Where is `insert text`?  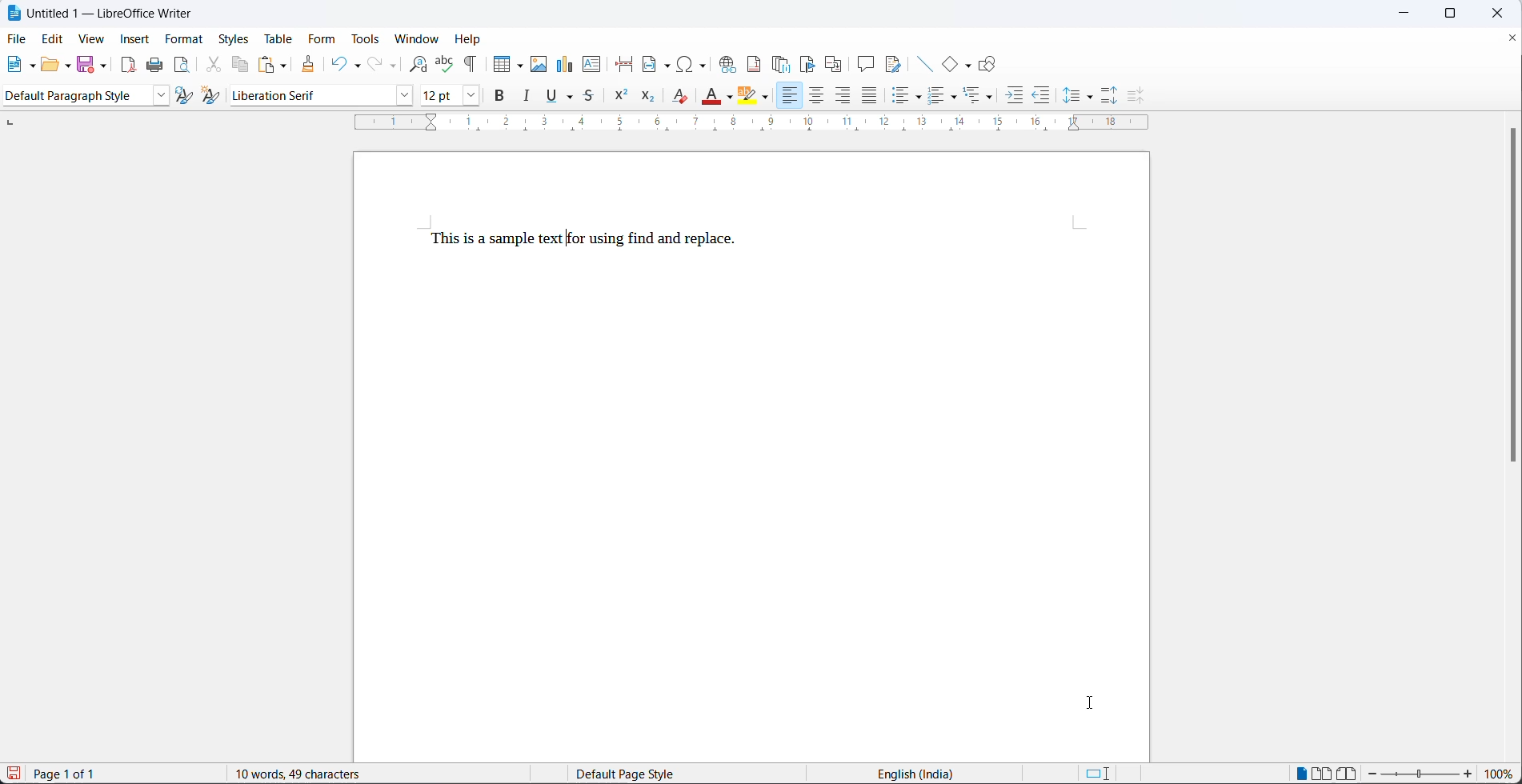
insert text is located at coordinates (593, 66).